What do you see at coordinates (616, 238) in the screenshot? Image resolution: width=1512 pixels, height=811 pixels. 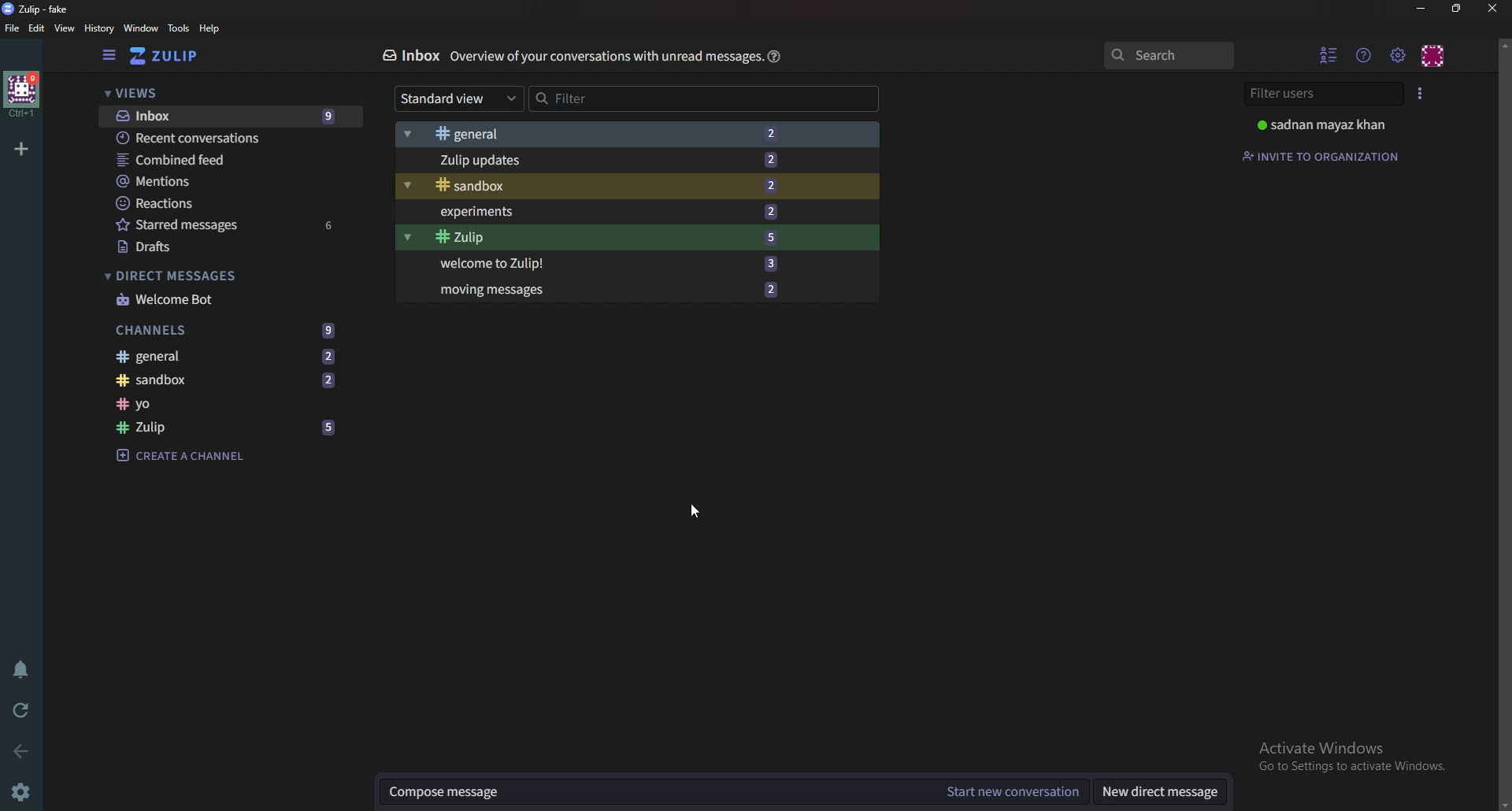 I see `Zulip` at bounding box center [616, 238].